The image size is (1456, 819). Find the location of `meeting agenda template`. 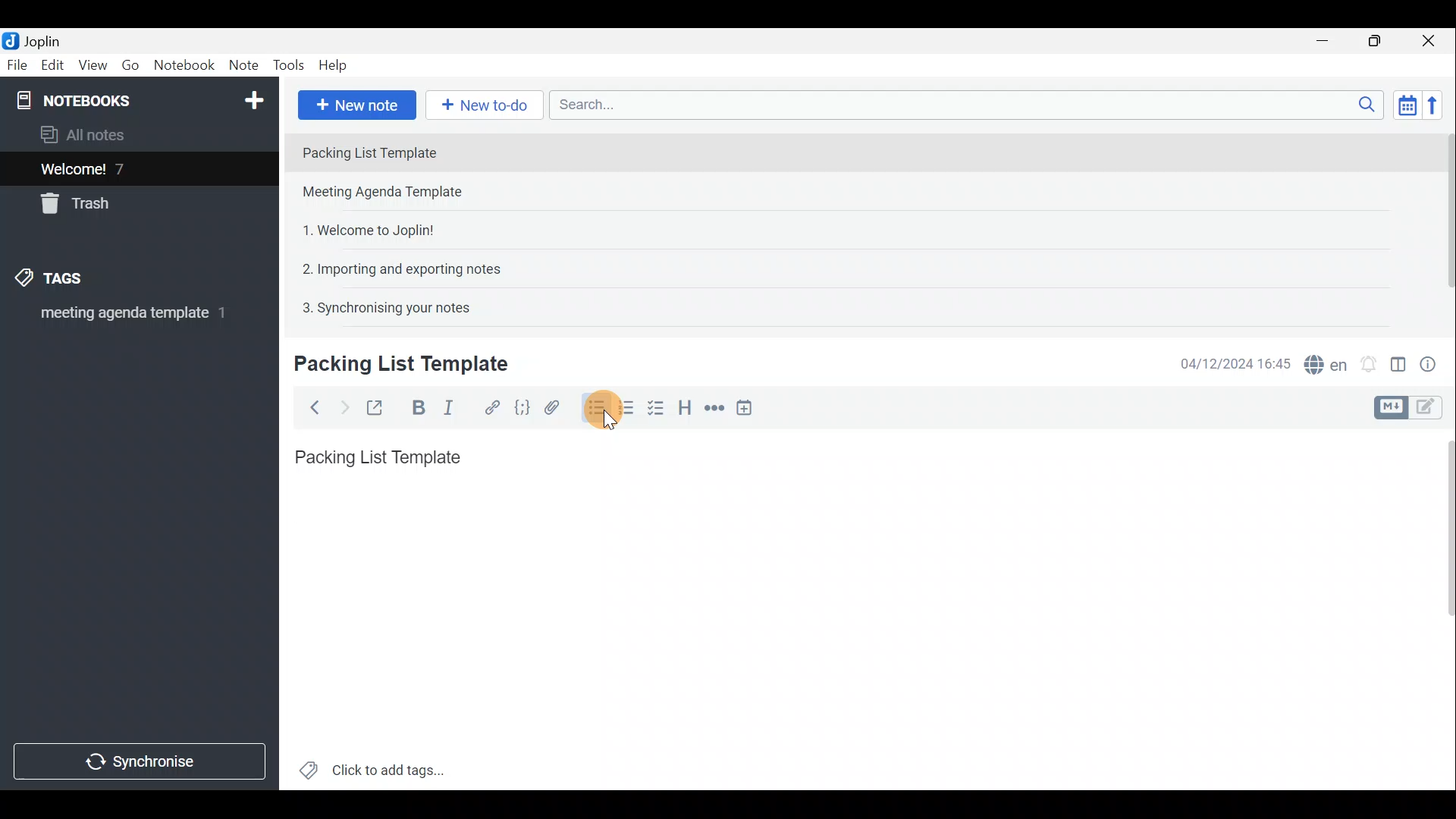

meeting agenda template is located at coordinates (130, 318).